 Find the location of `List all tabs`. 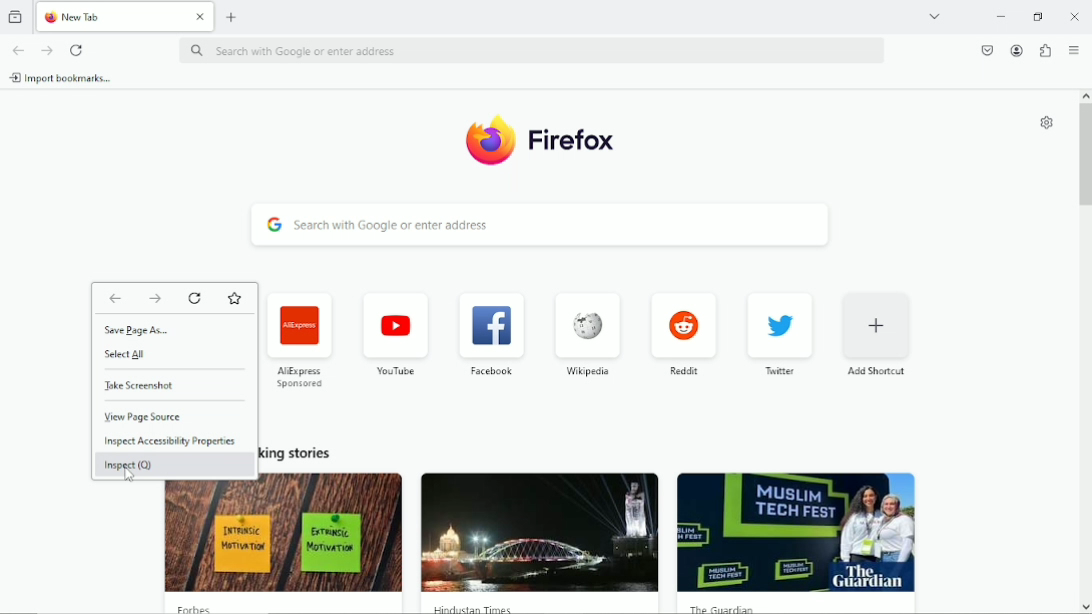

List all tabs is located at coordinates (934, 15).